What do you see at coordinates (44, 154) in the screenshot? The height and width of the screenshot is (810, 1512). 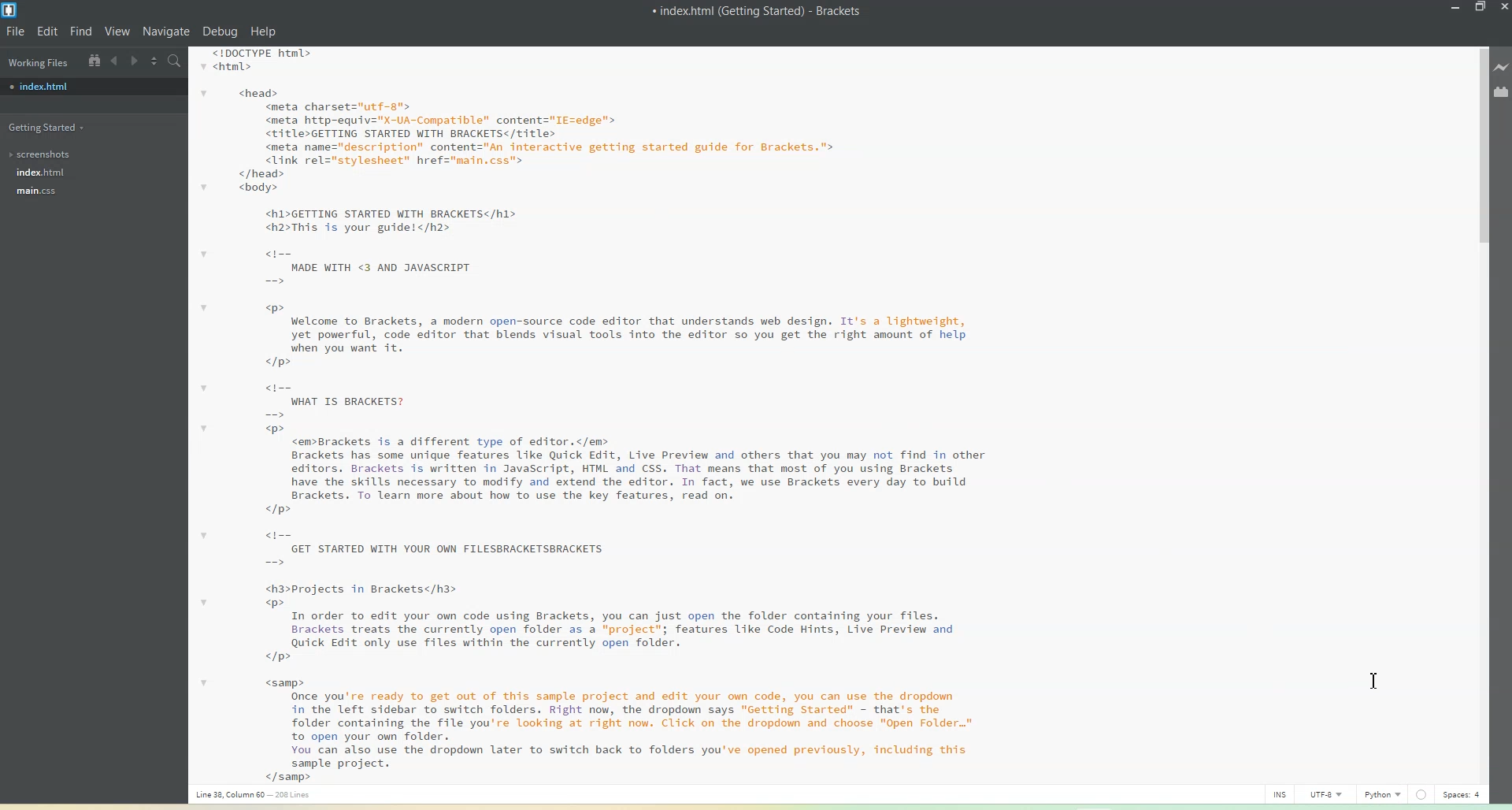 I see `Screenshots` at bounding box center [44, 154].